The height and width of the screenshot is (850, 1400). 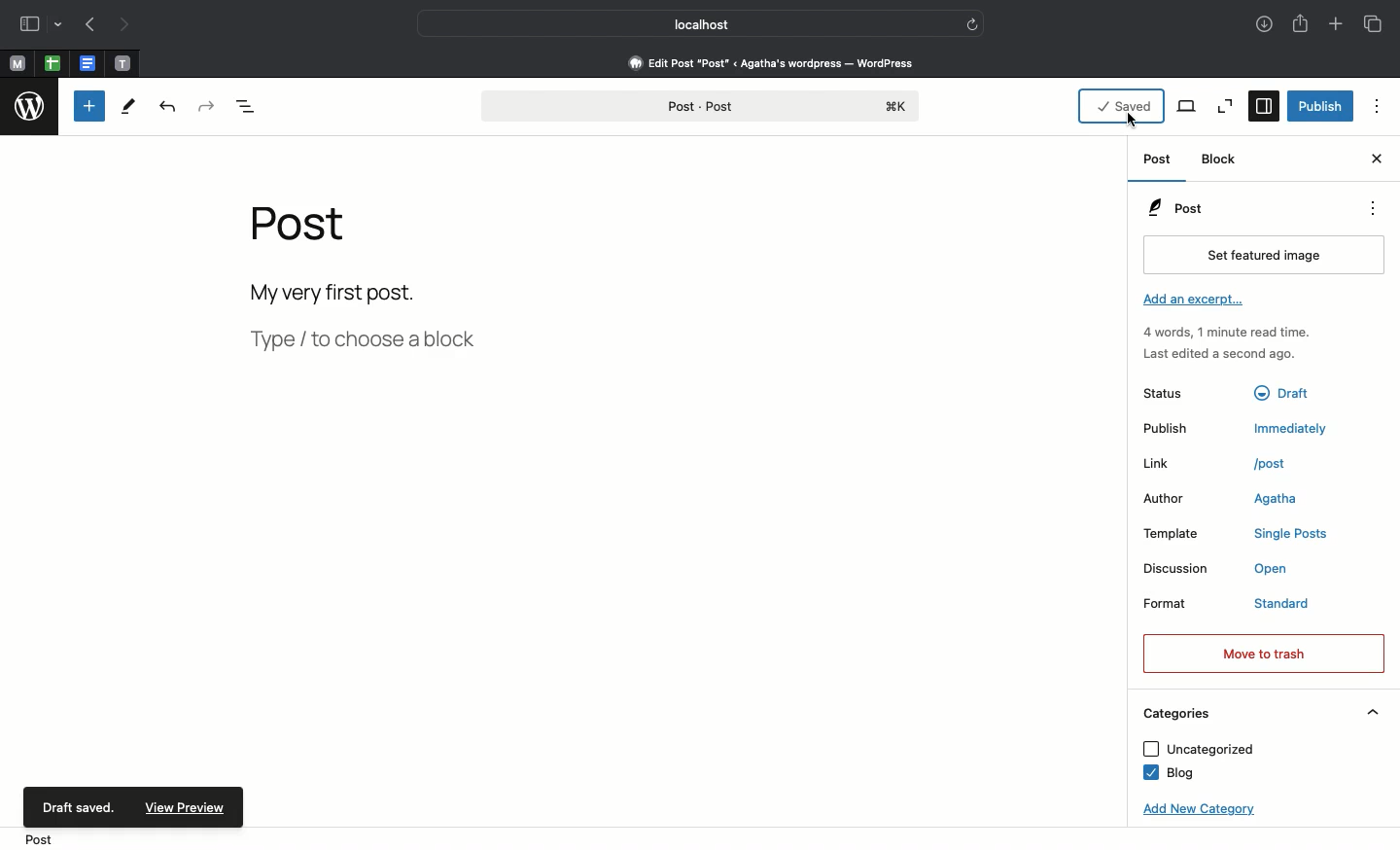 What do you see at coordinates (30, 26) in the screenshot?
I see `Sidebare` at bounding box center [30, 26].